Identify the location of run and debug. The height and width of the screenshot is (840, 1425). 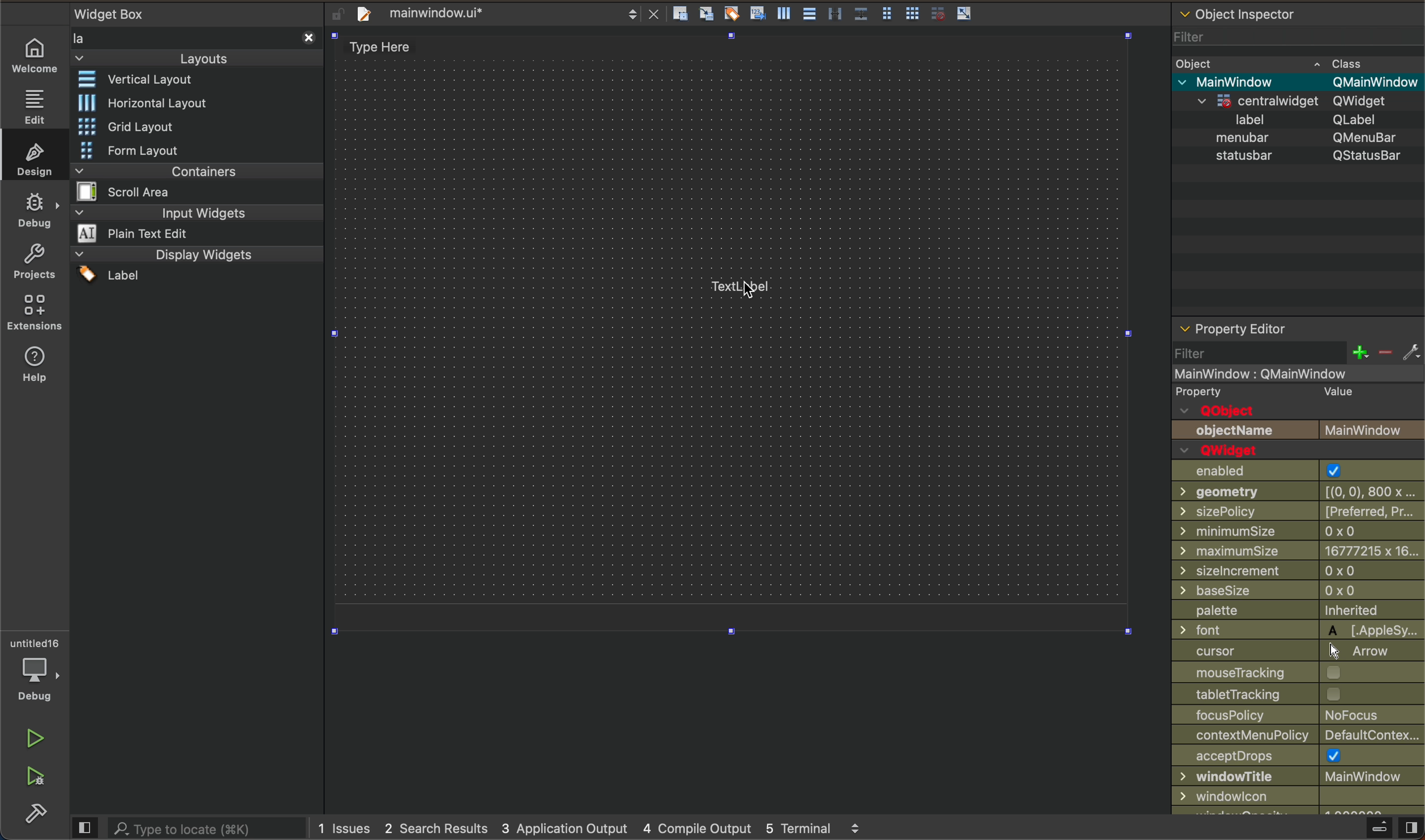
(37, 778).